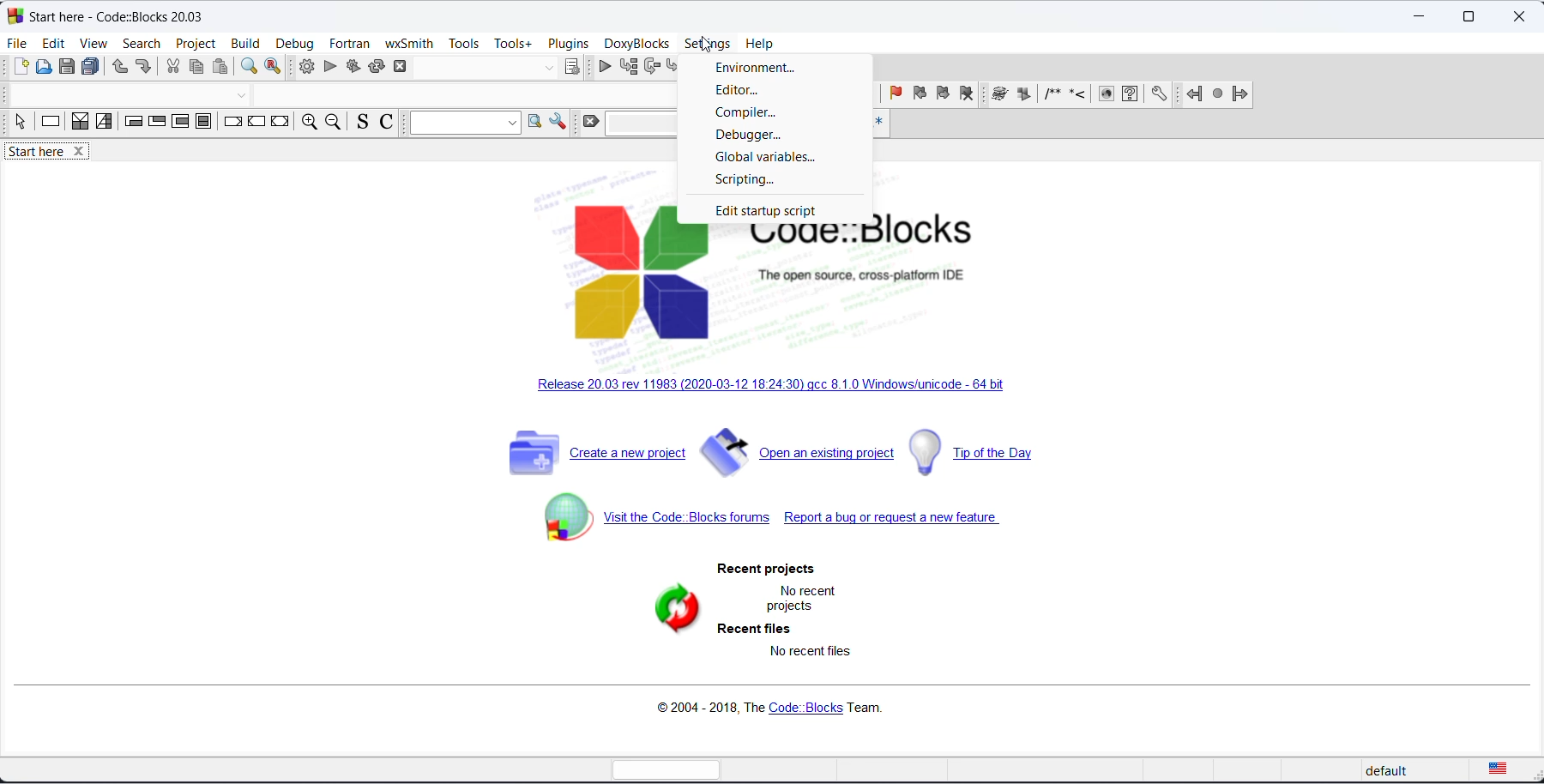 This screenshot has width=1544, height=784. Describe the element at coordinates (50, 120) in the screenshot. I see `instruction` at that location.